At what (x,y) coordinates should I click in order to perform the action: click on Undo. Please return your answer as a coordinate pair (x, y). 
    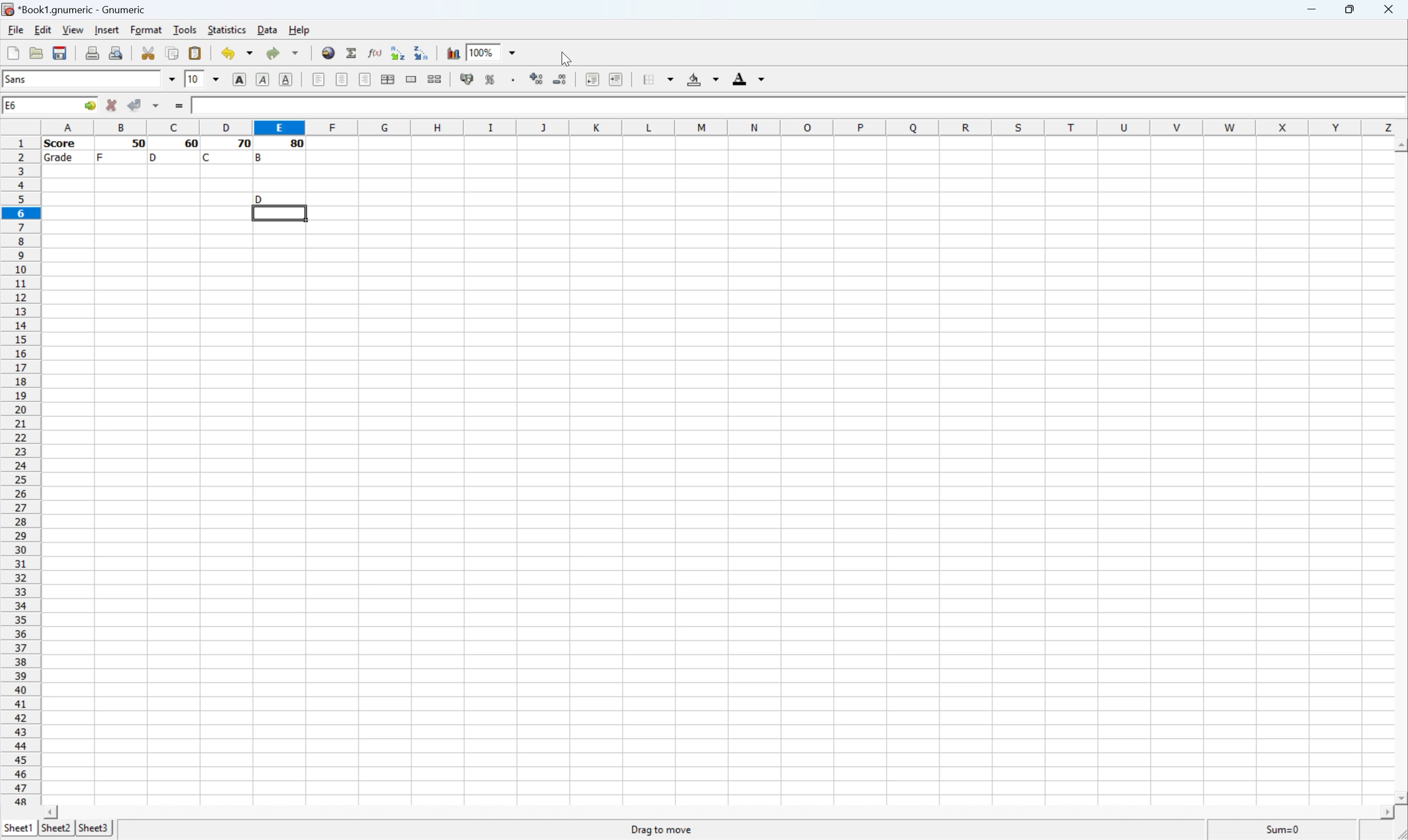
    Looking at the image, I should click on (235, 53).